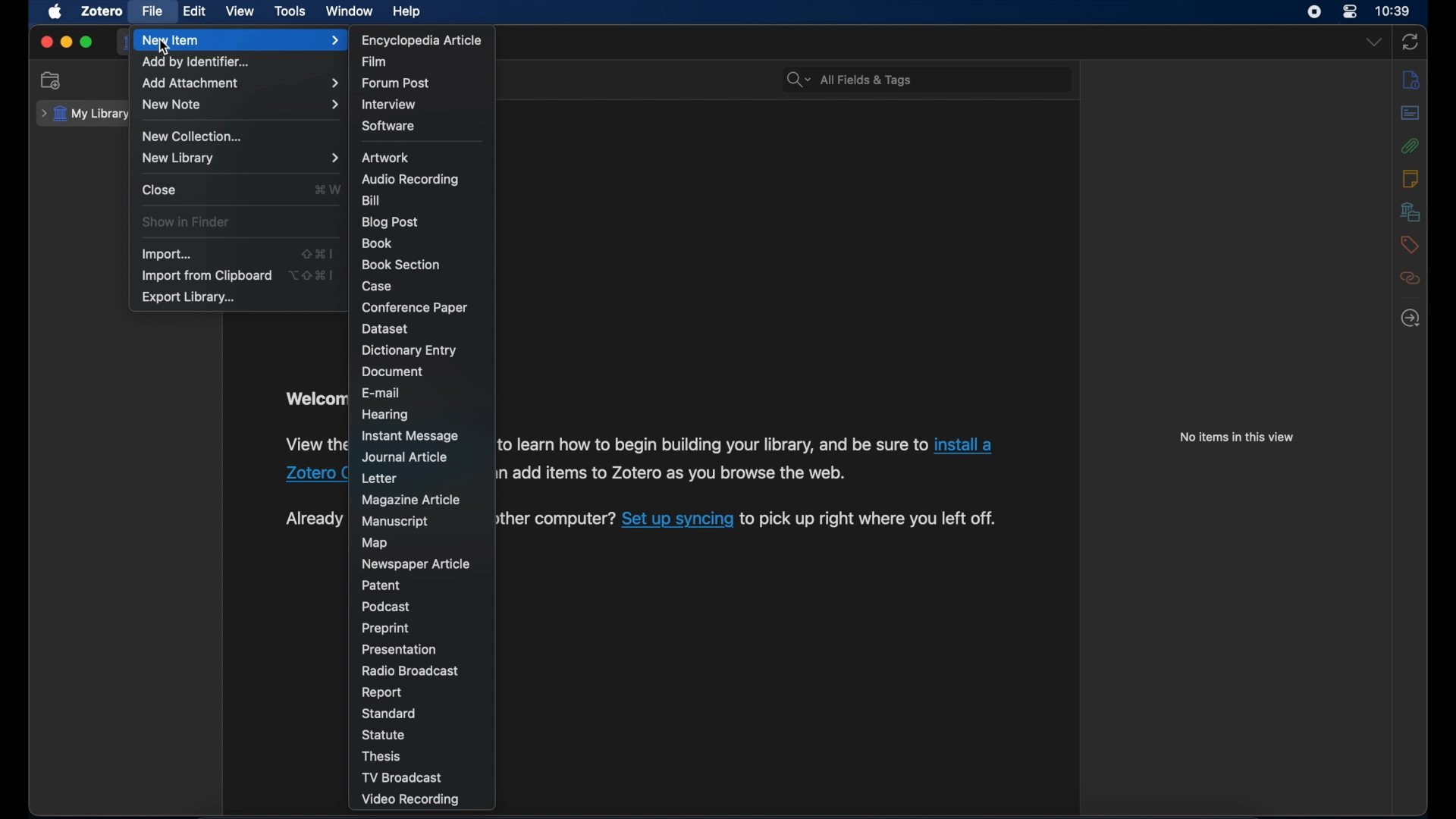 The image size is (1456, 819). Describe the element at coordinates (678, 520) in the screenshot. I see `Set up syncing` at that location.